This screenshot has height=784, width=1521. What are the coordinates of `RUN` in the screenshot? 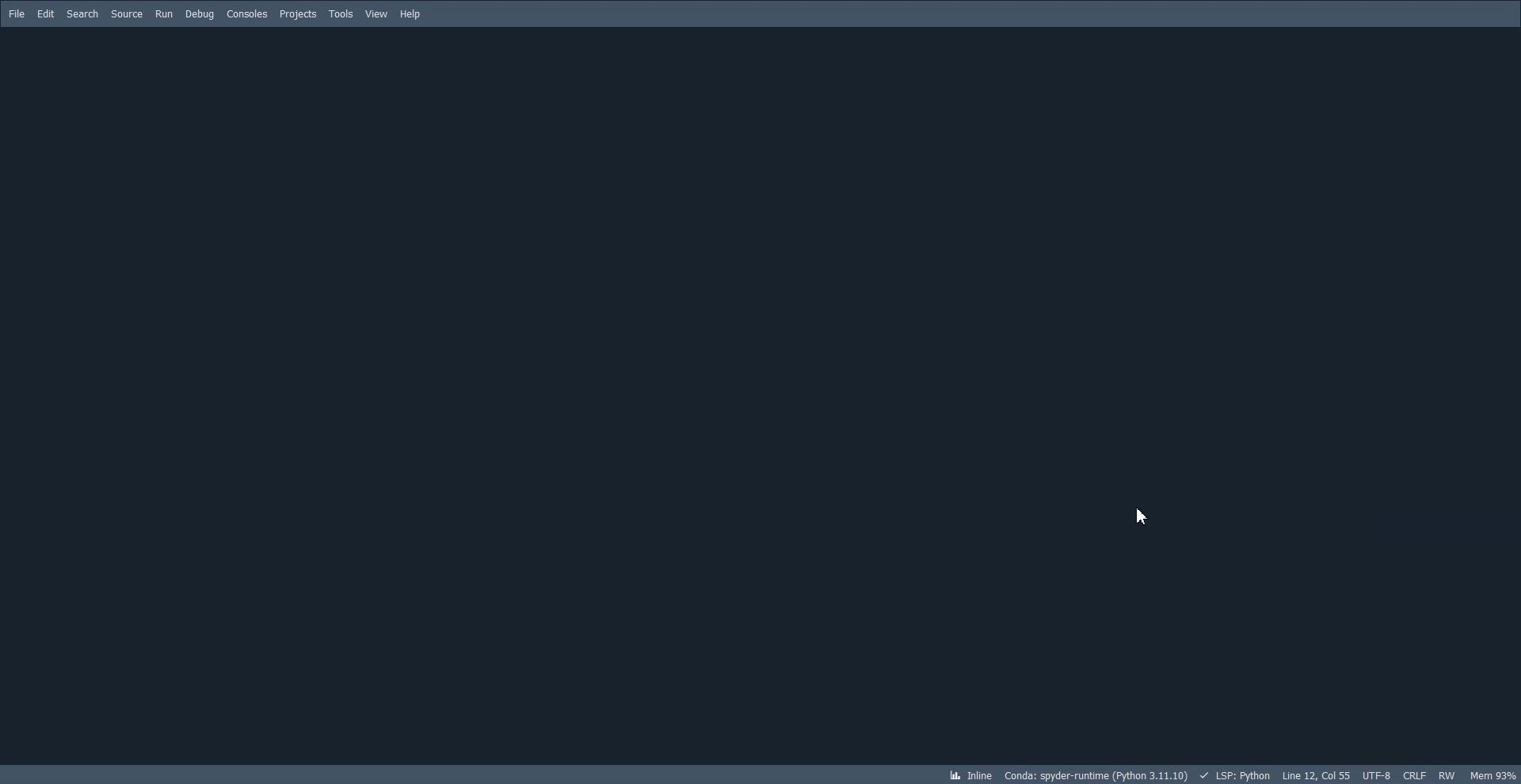 It's located at (164, 15).